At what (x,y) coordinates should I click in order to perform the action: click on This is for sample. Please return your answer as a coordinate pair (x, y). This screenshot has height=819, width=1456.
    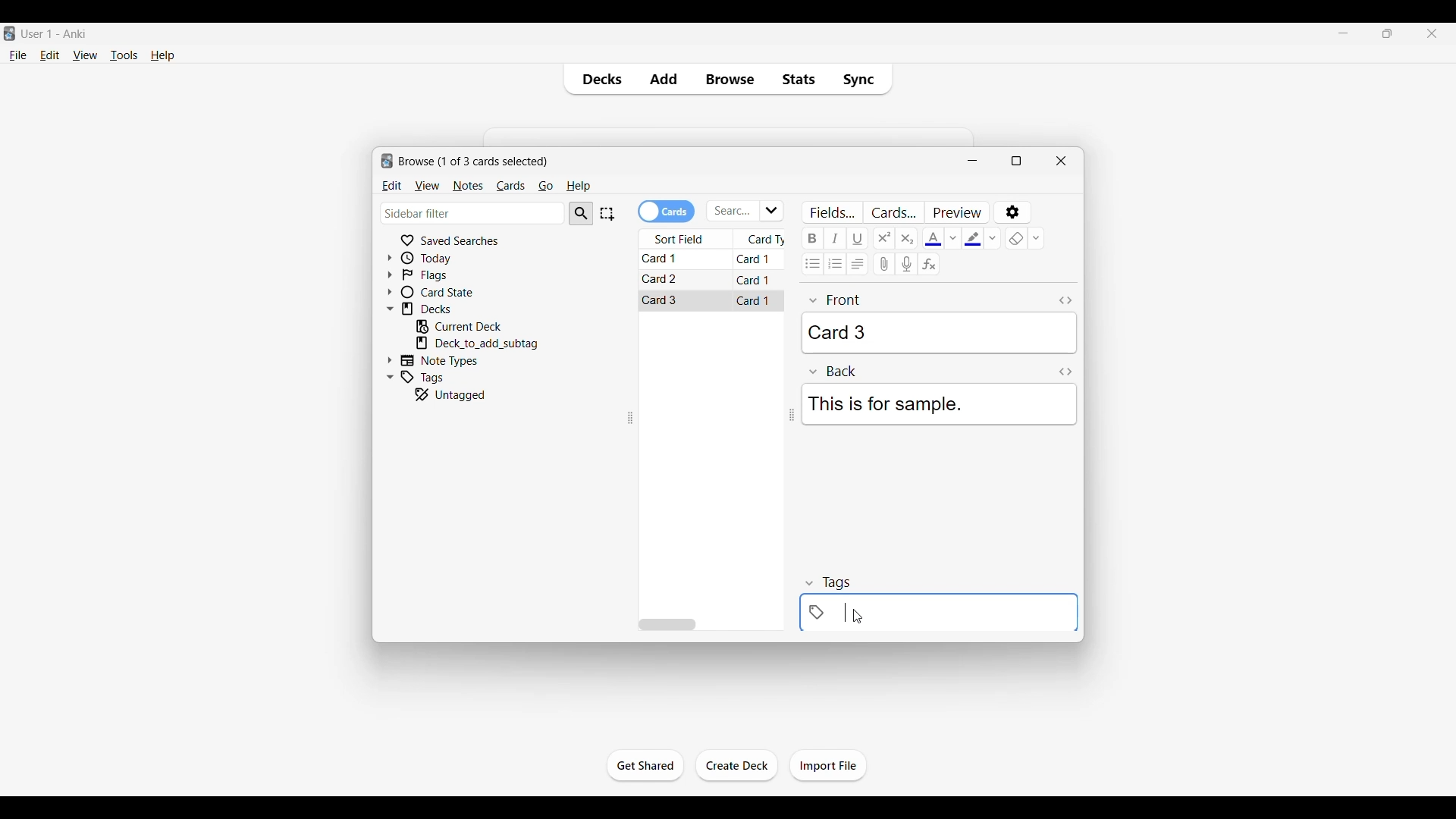
    Looking at the image, I should click on (938, 404).